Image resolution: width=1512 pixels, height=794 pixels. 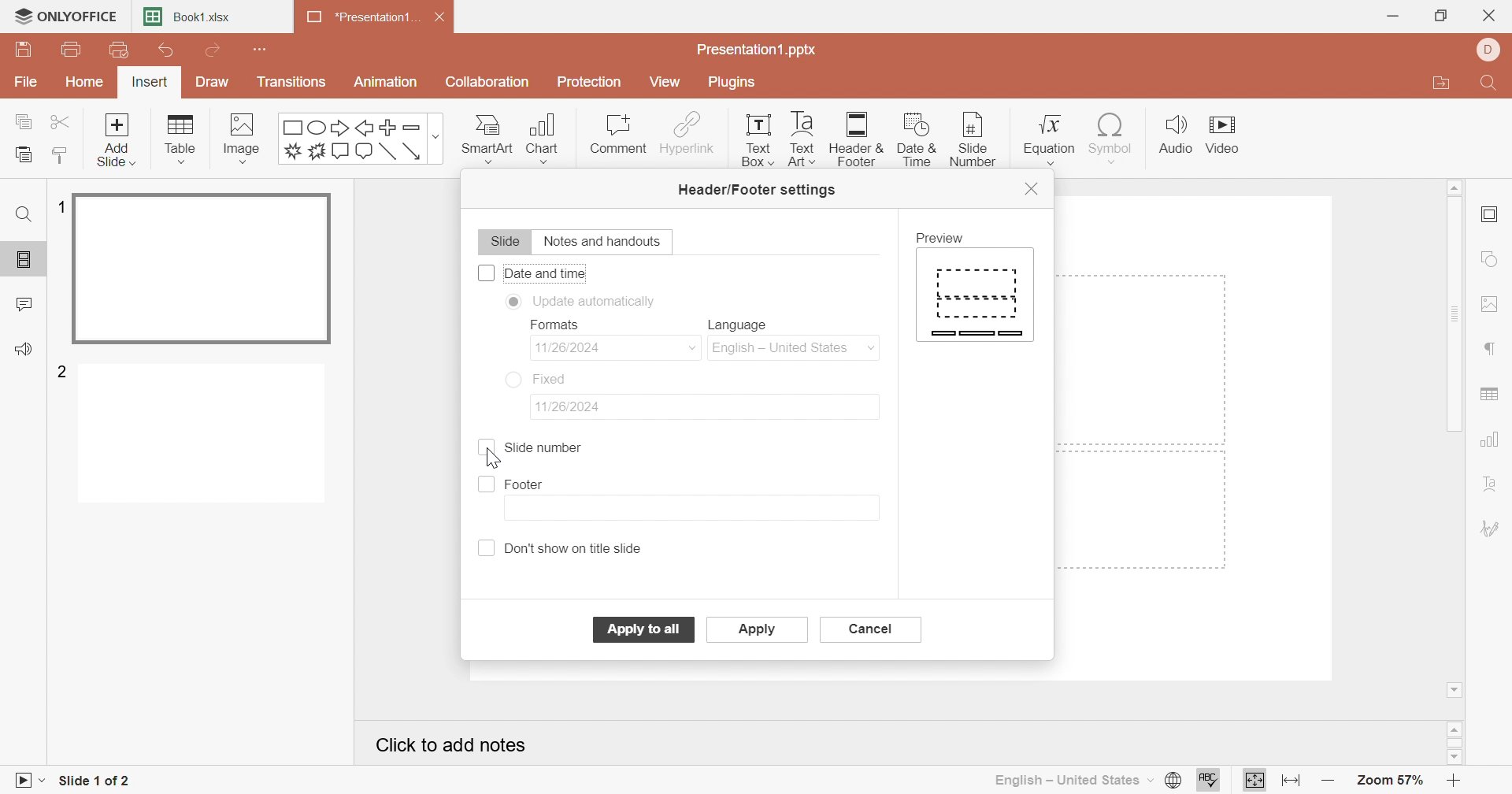 What do you see at coordinates (556, 380) in the screenshot?
I see `Fixed` at bounding box center [556, 380].